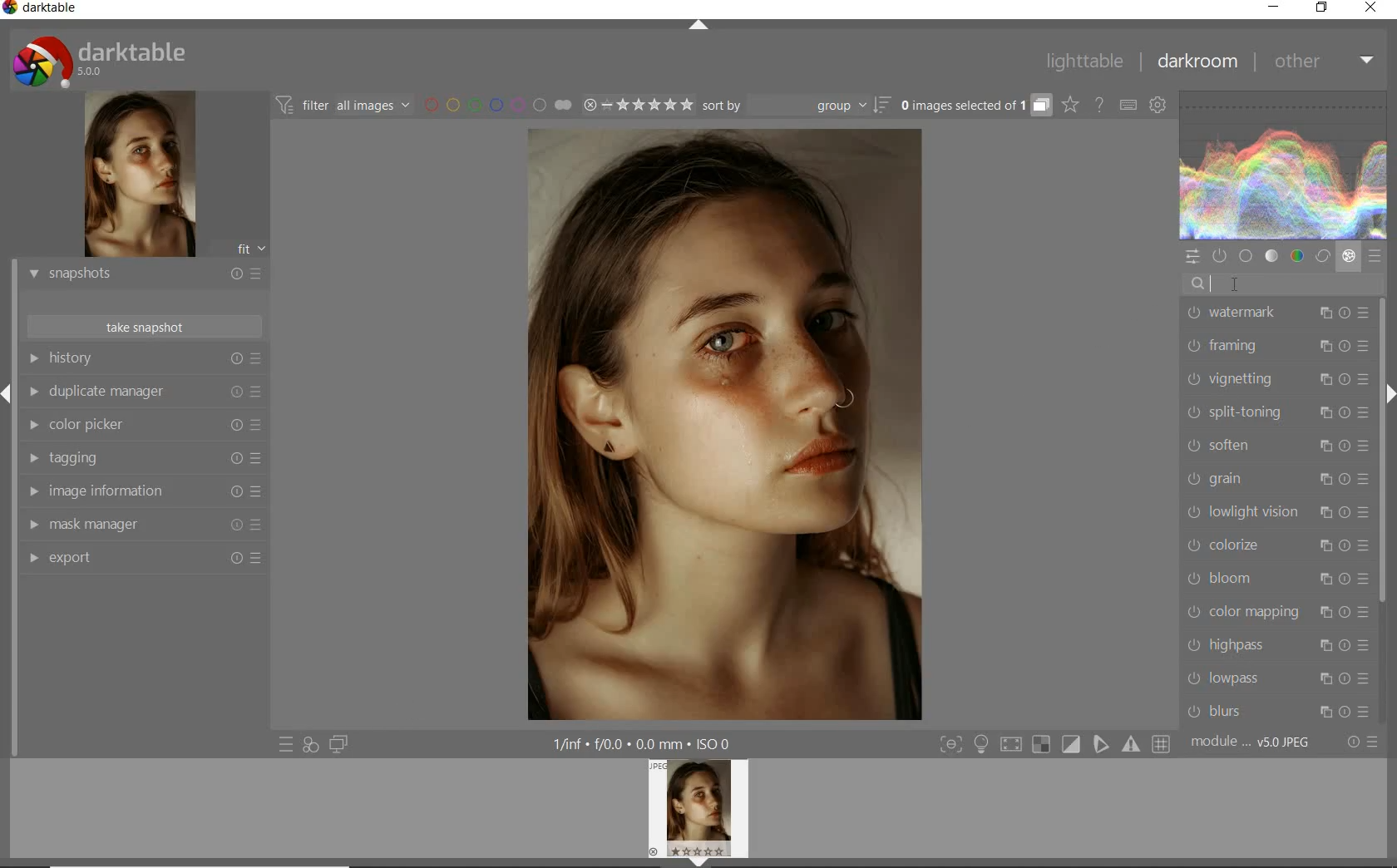 The image size is (1397, 868). Describe the element at coordinates (703, 811) in the screenshot. I see `IMAGE` at that location.